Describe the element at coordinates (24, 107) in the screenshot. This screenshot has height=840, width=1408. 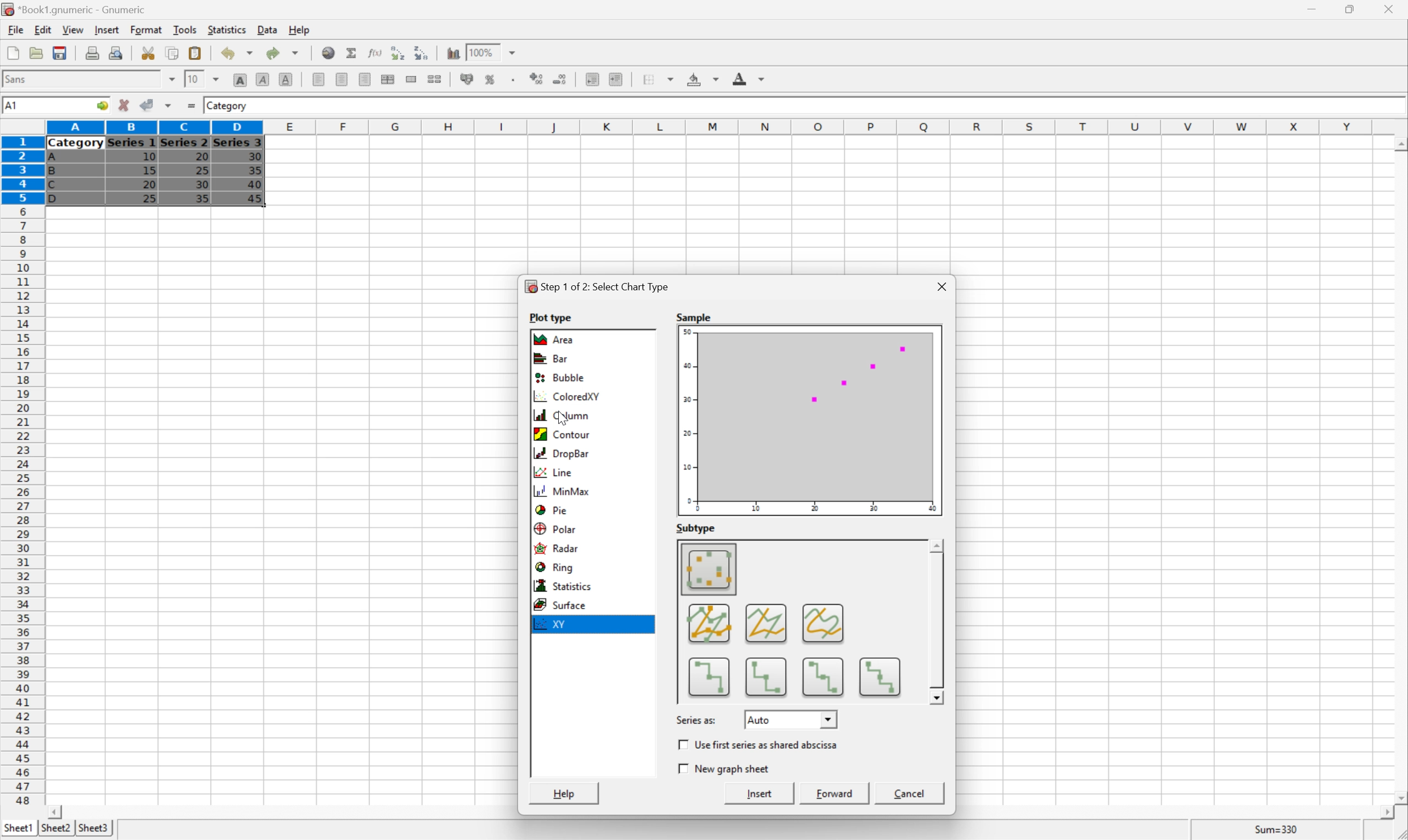
I see `5R*4C` at that location.